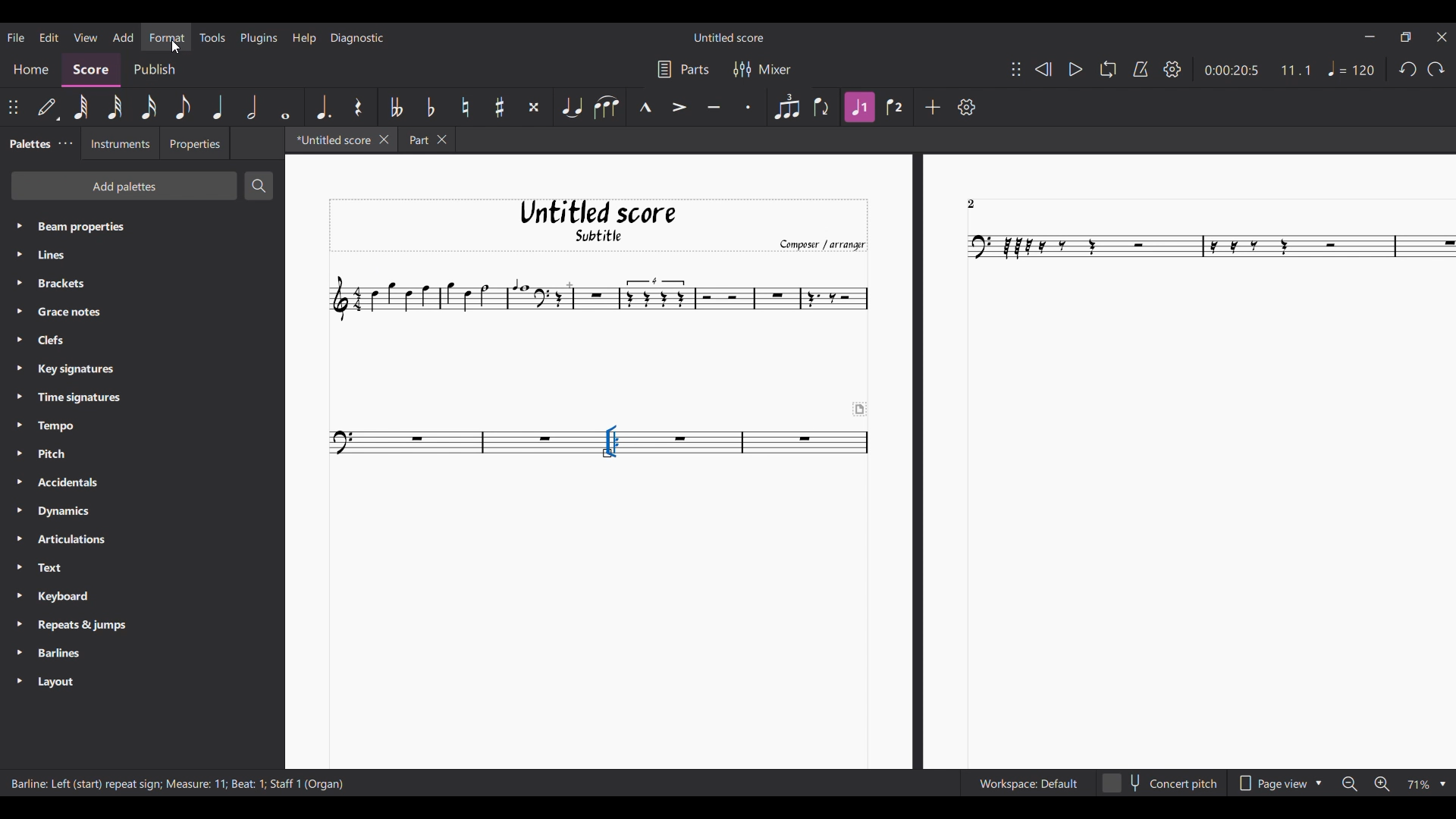 The image size is (1456, 819). I want to click on Settings, so click(1173, 69).